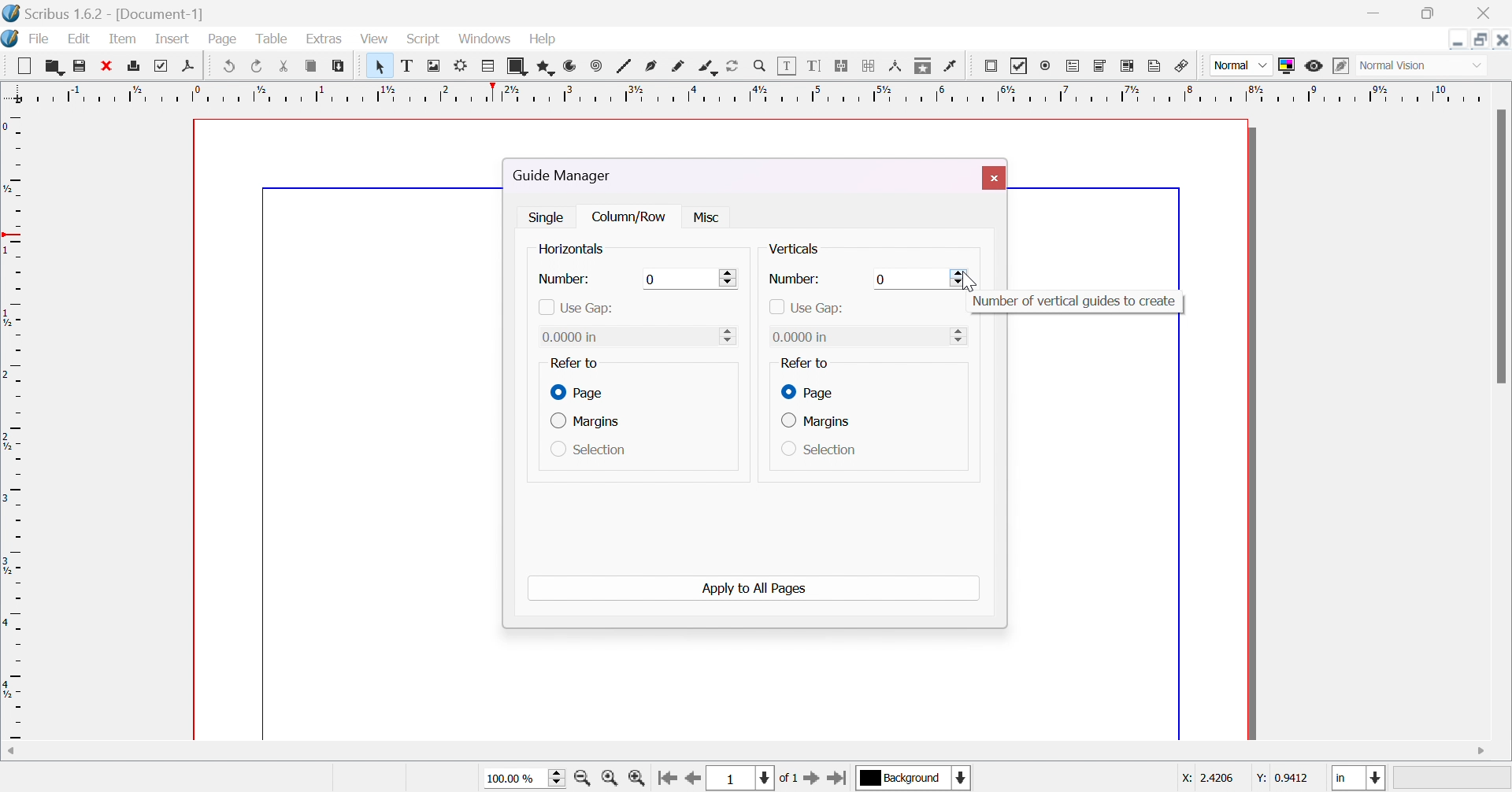 Image resolution: width=1512 pixels, height=792 pixels. I want to click on selection, so click(589, 451).